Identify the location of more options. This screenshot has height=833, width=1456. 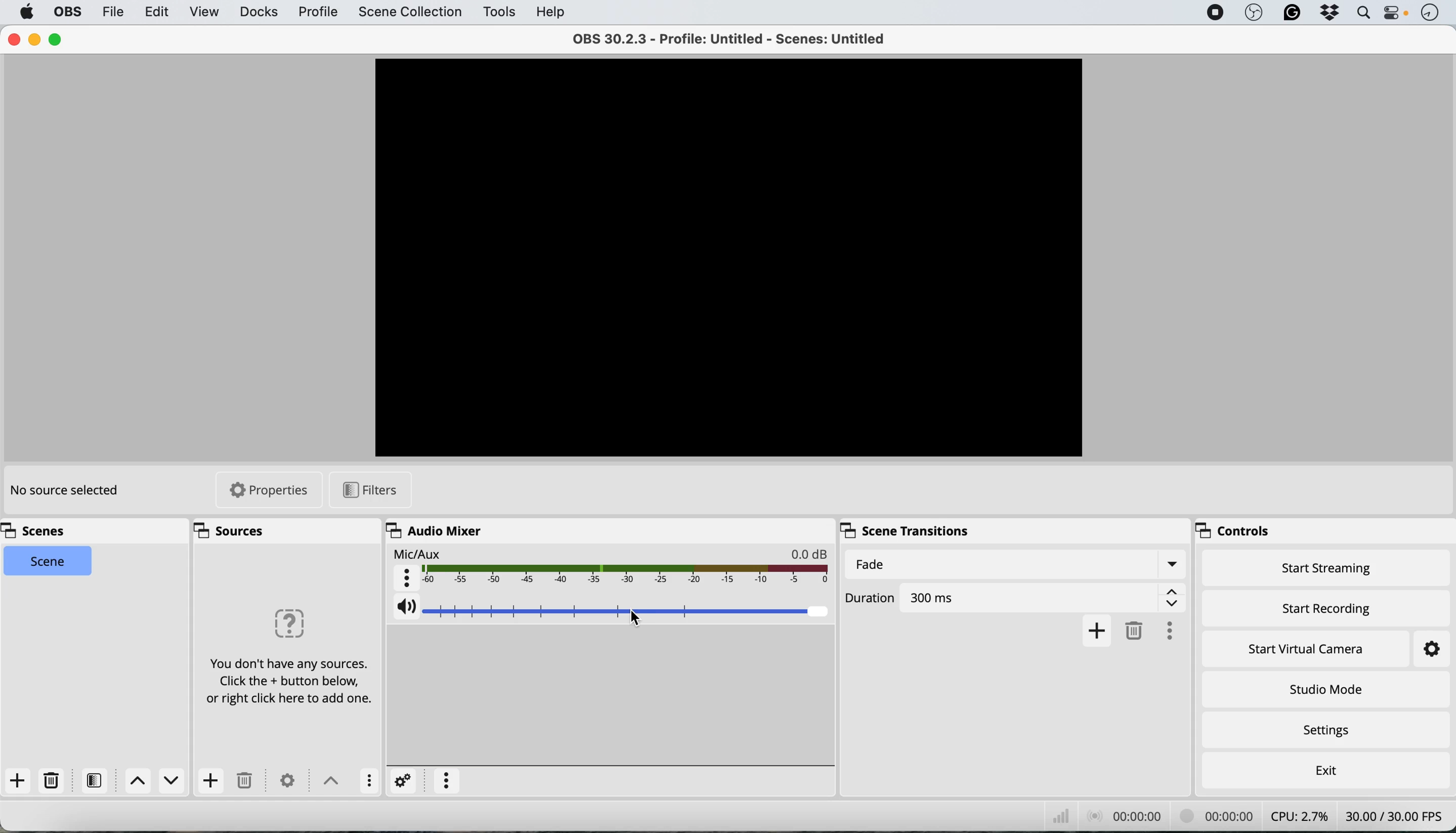
(1168, 629).